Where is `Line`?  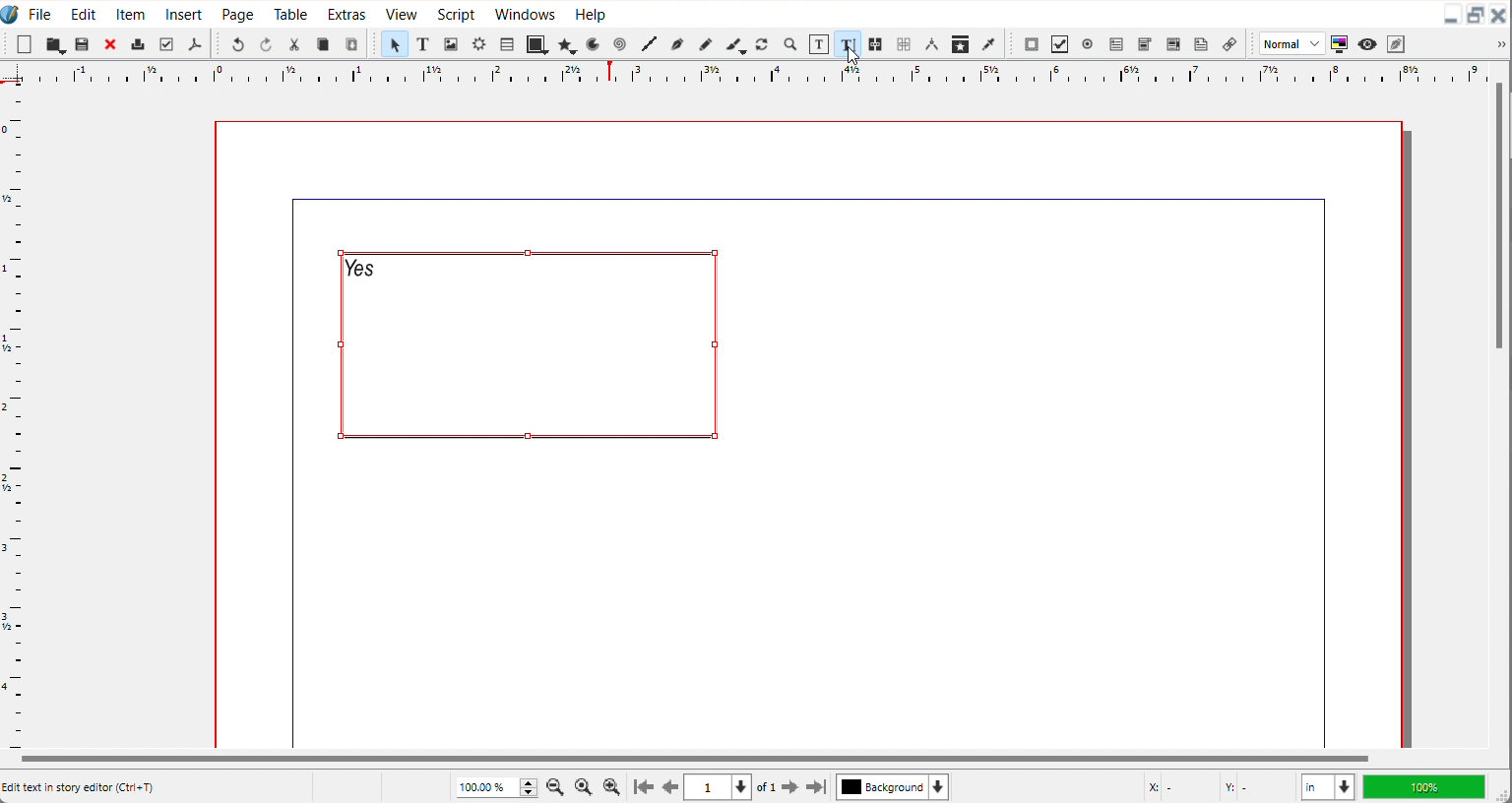
Line is located at coordinates (649, 44).